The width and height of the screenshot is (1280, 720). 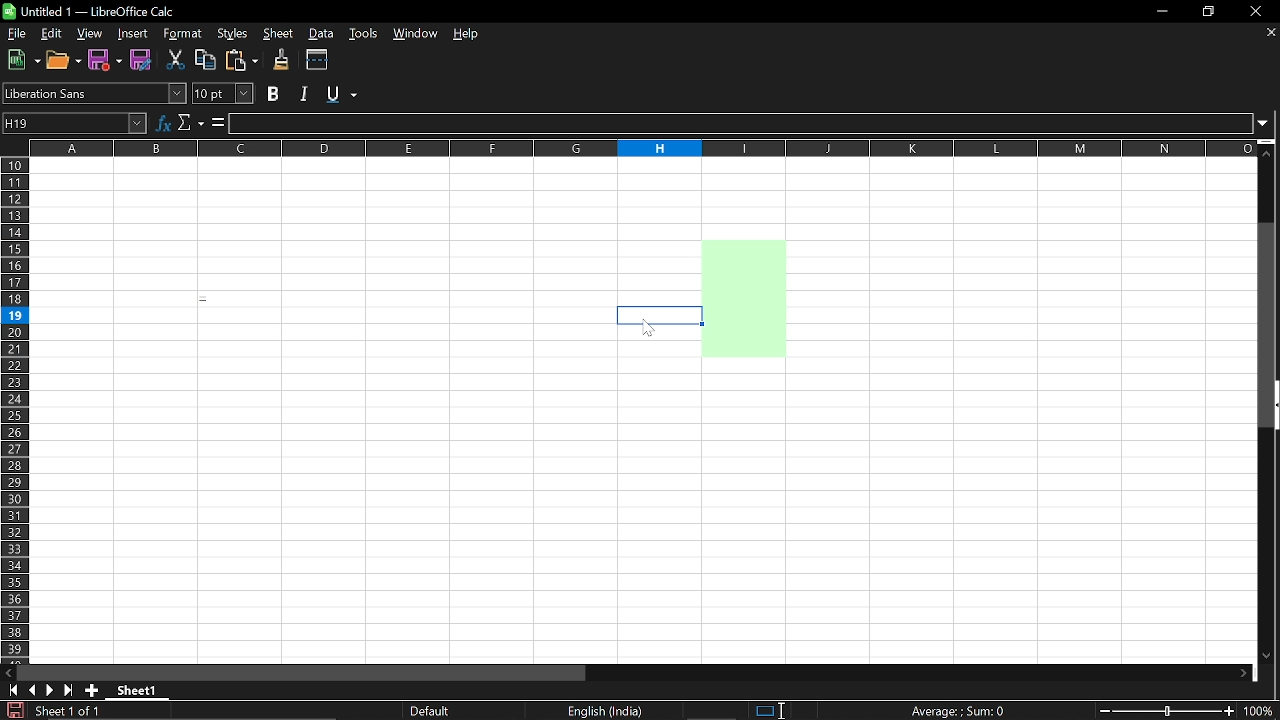 What do you see at coordinates (762, 709) in the screenshot?
I see `Standard selection` at bounding box center [762, 709].